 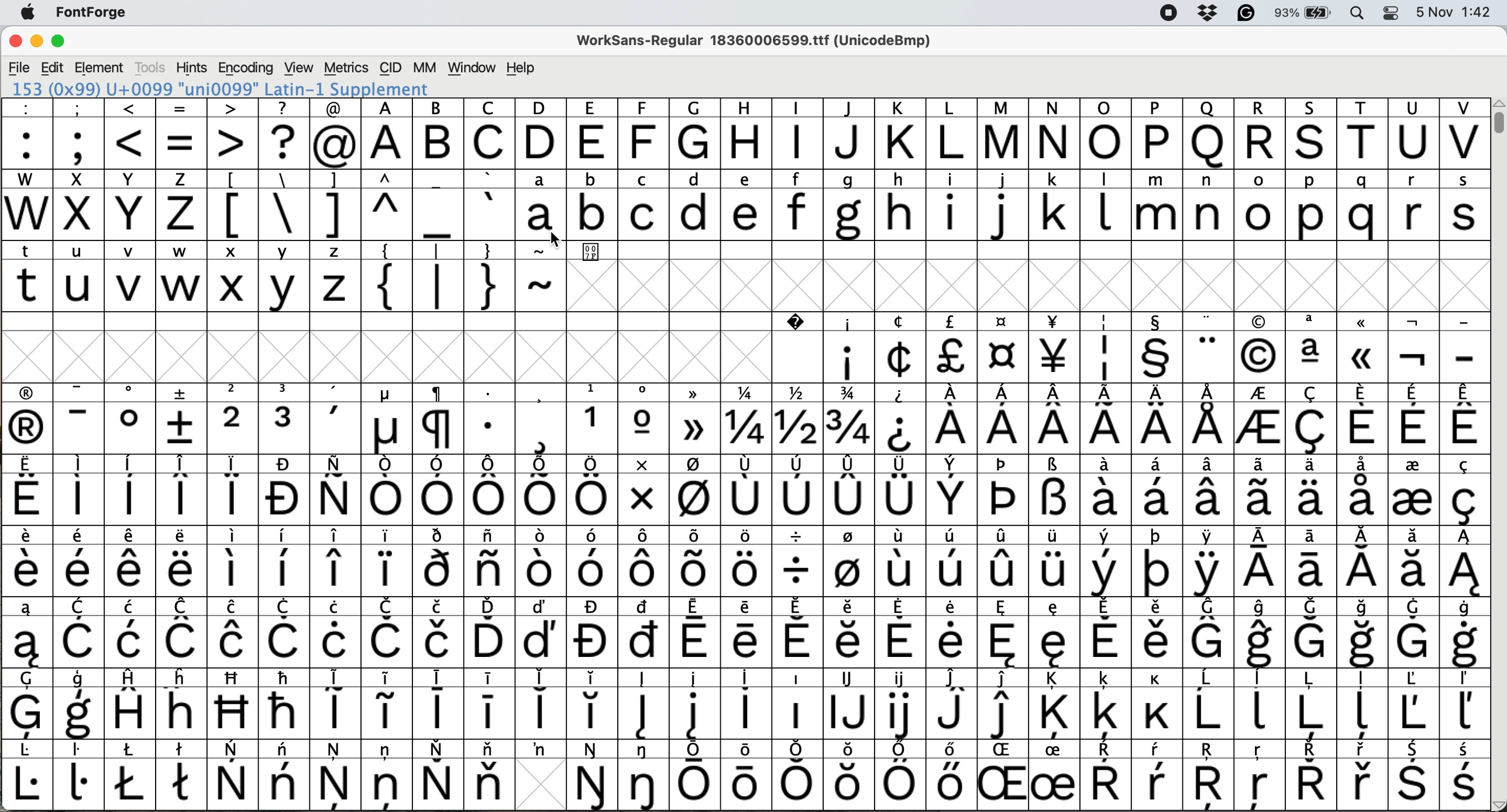 I want to click on H, so click(x=748, y=135).